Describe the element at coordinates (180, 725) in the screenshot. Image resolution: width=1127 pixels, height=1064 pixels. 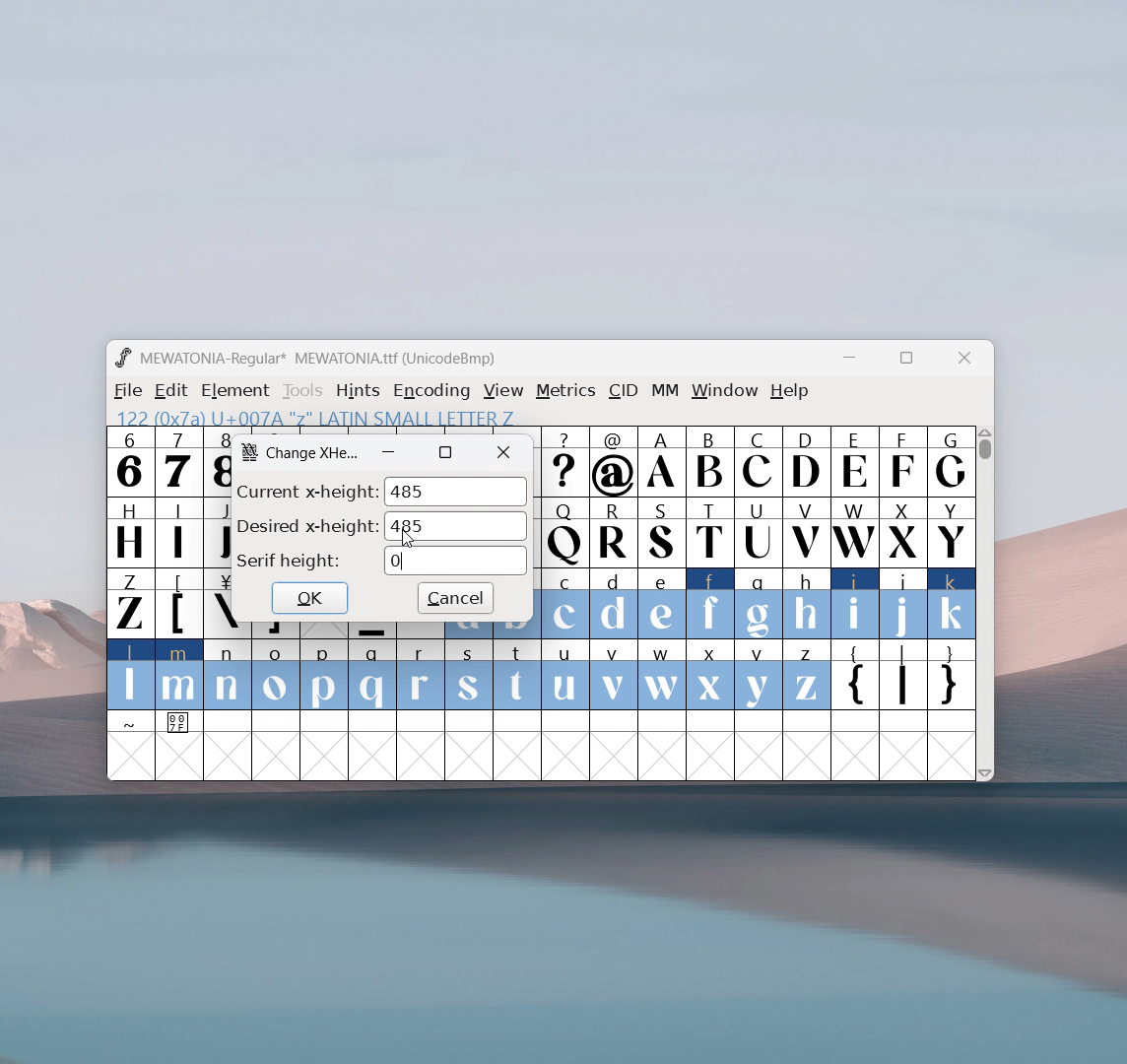
I see `0 0 7 F` at that location.